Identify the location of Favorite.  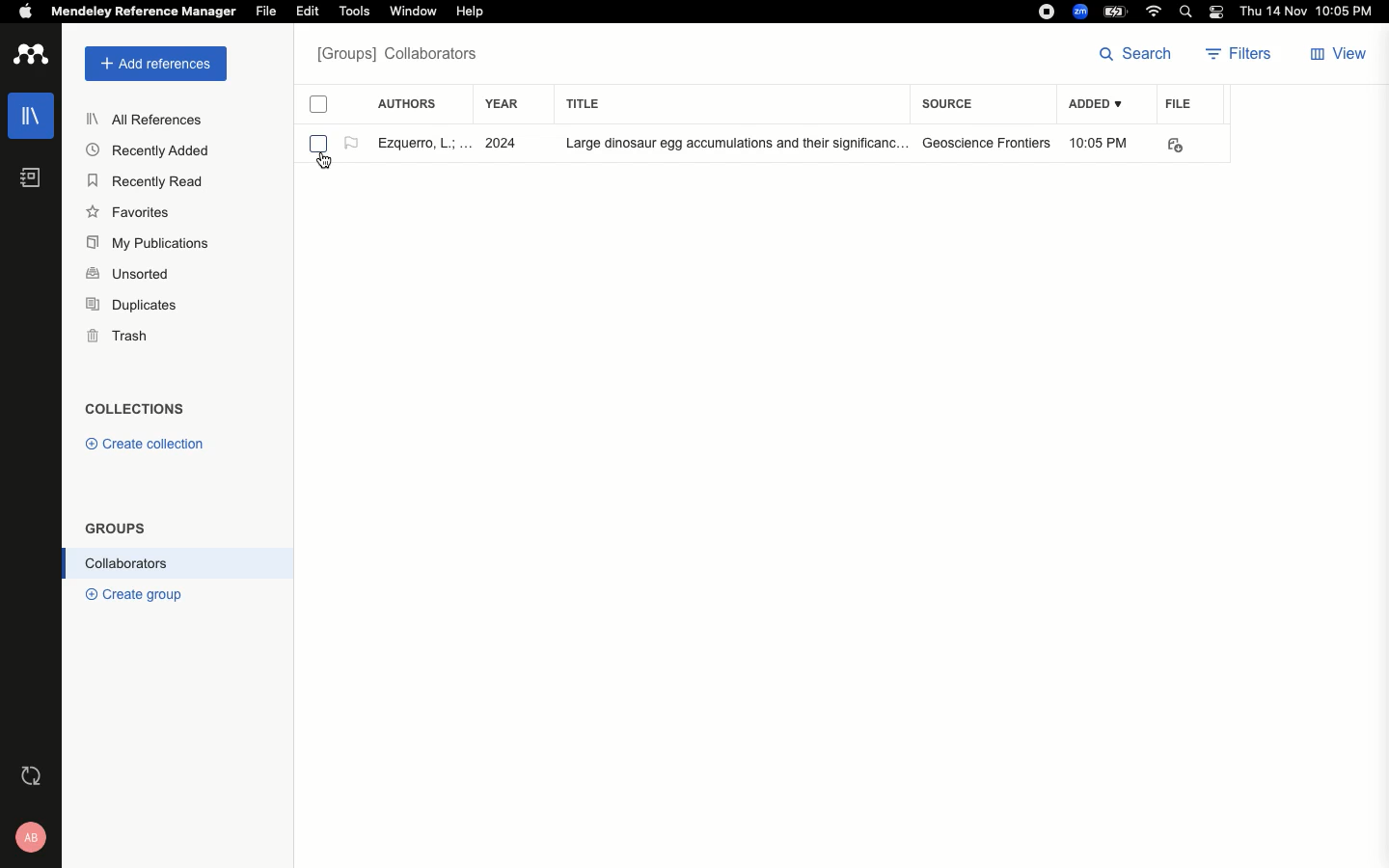
(421, 142).